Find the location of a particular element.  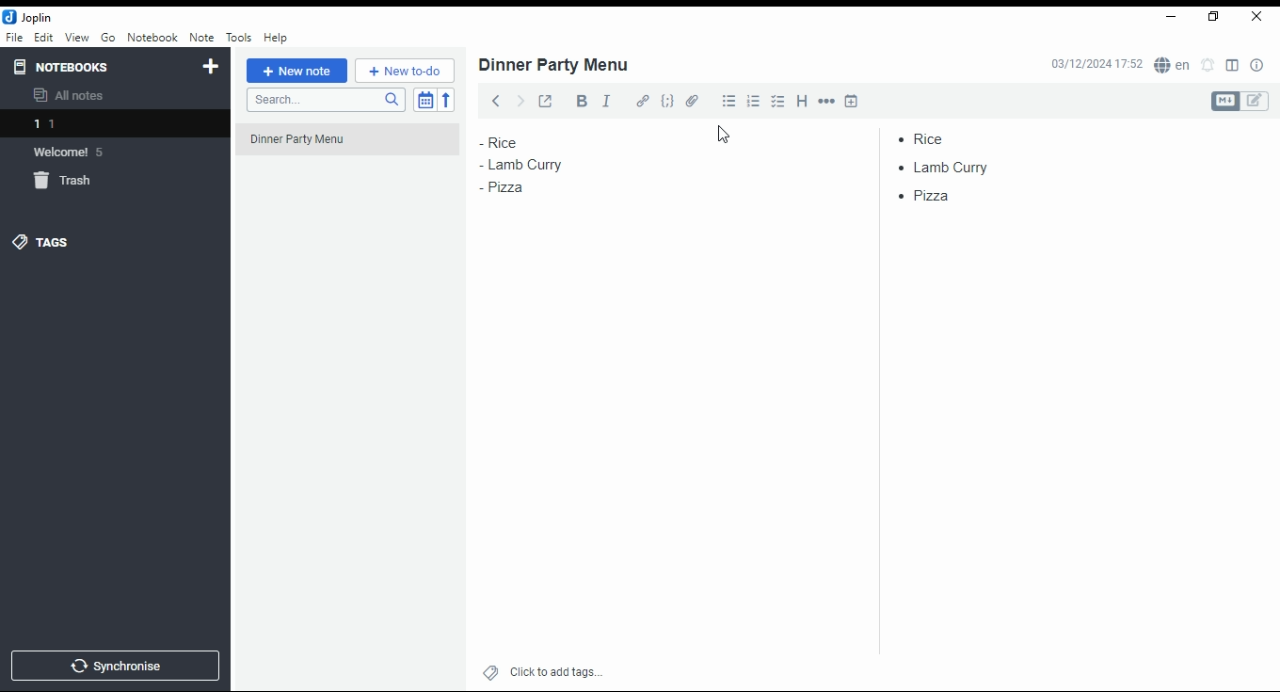

rice is located at coordinates (515, 142).